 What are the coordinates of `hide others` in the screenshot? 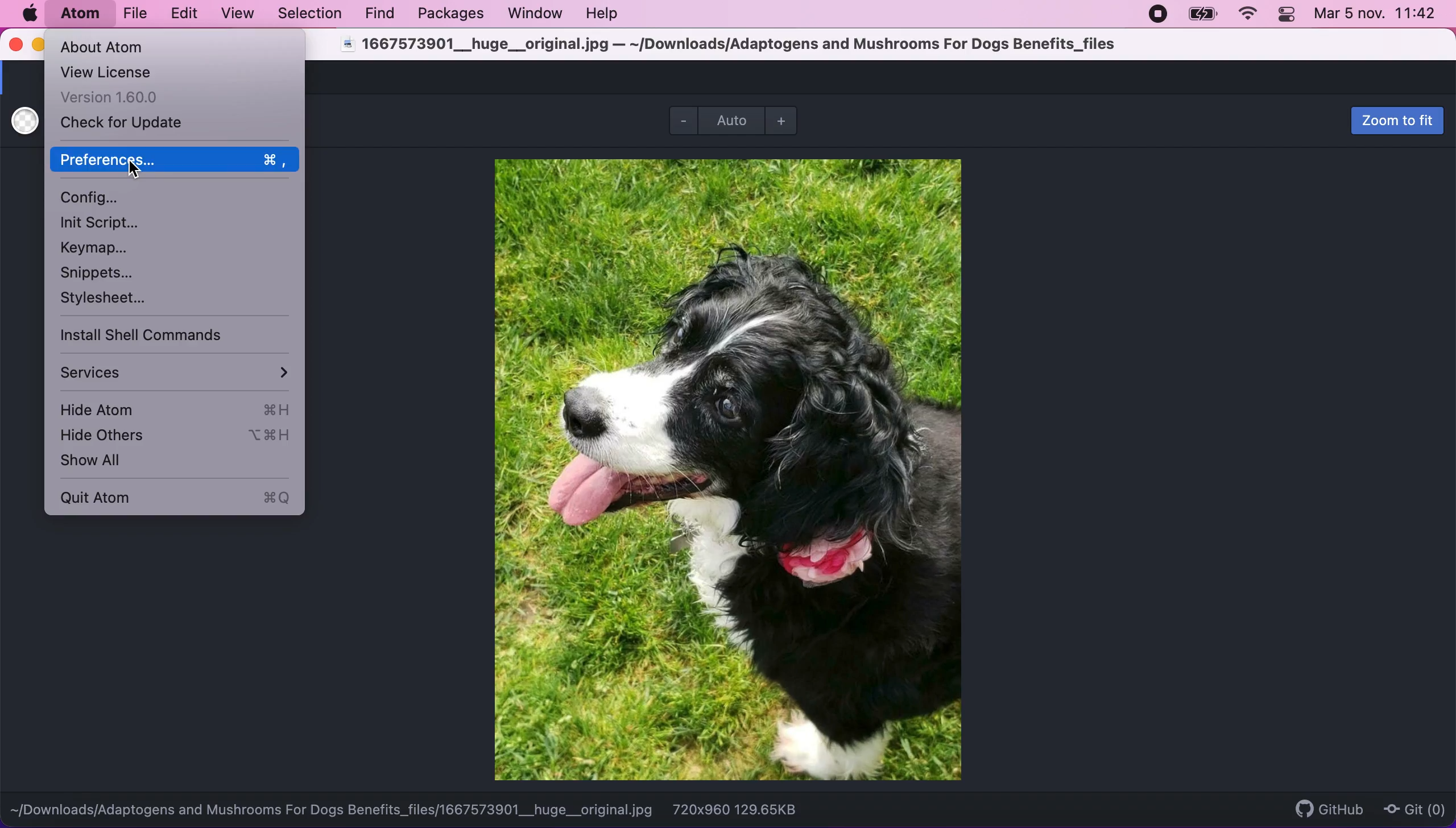 It's located at (177, 436).